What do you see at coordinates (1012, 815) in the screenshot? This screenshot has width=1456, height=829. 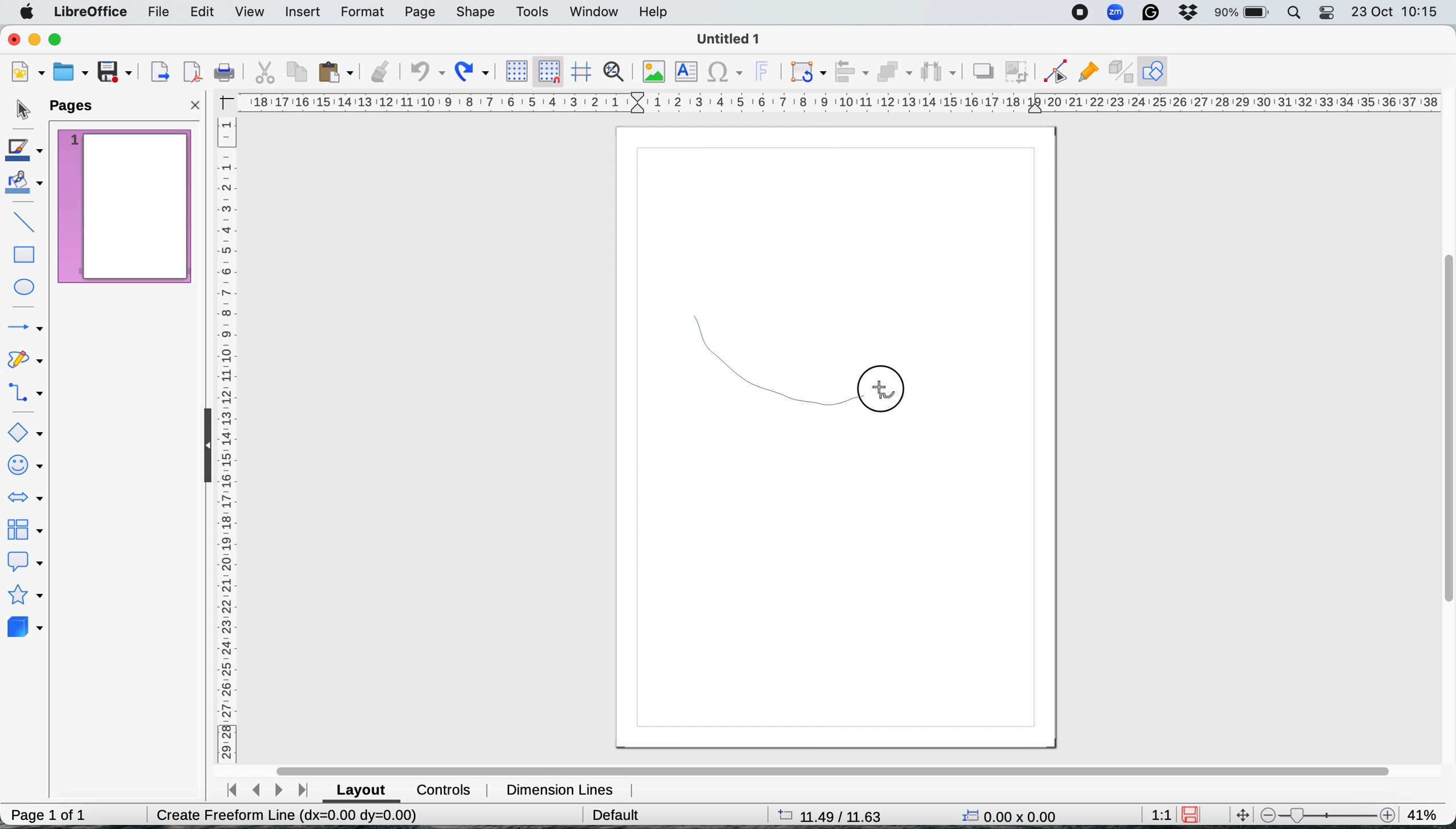 I see `x y coordinates` at bounding box center [1012, 815].